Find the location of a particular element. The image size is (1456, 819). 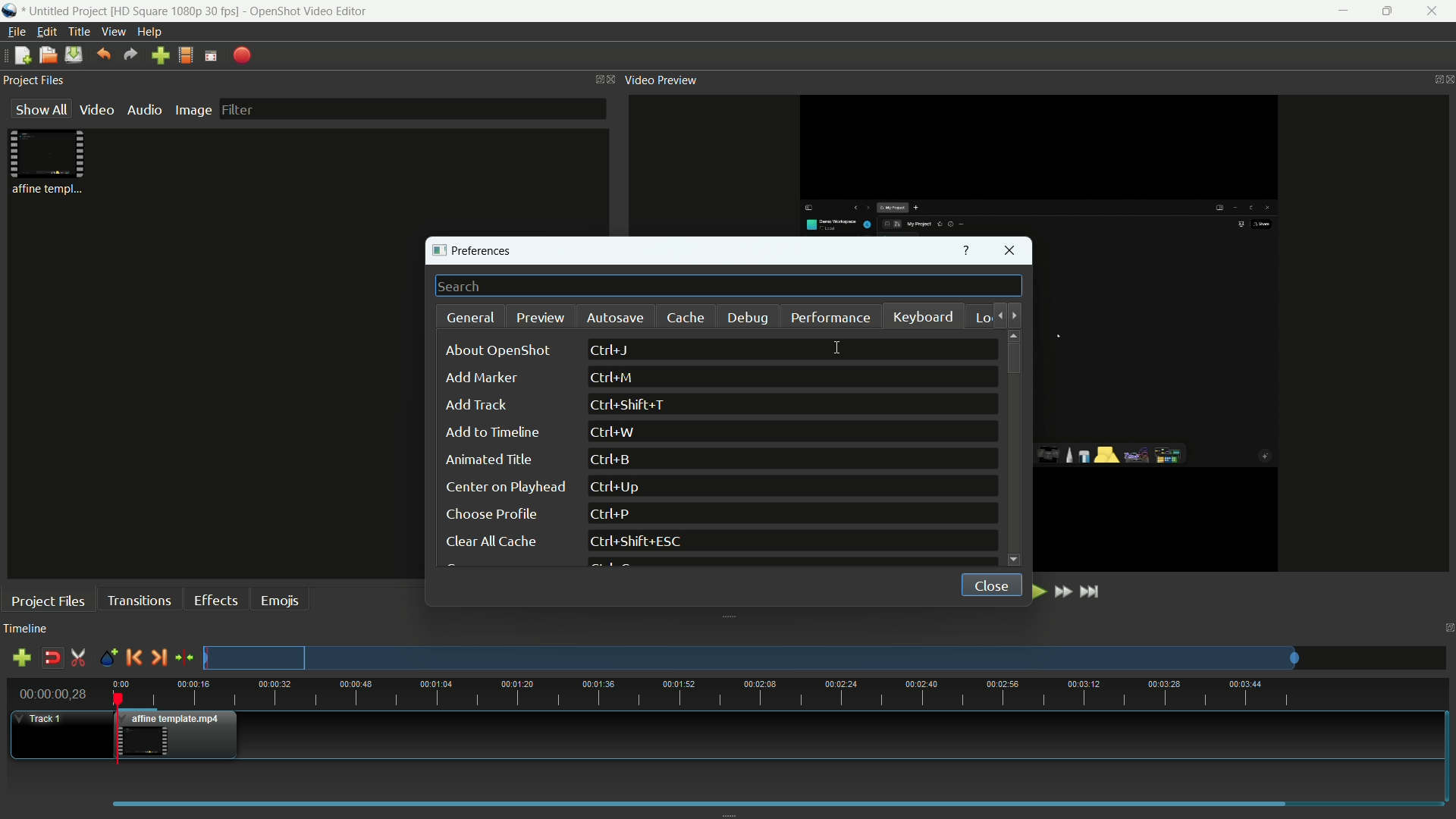

full screen is located at coordinates (211, 55).